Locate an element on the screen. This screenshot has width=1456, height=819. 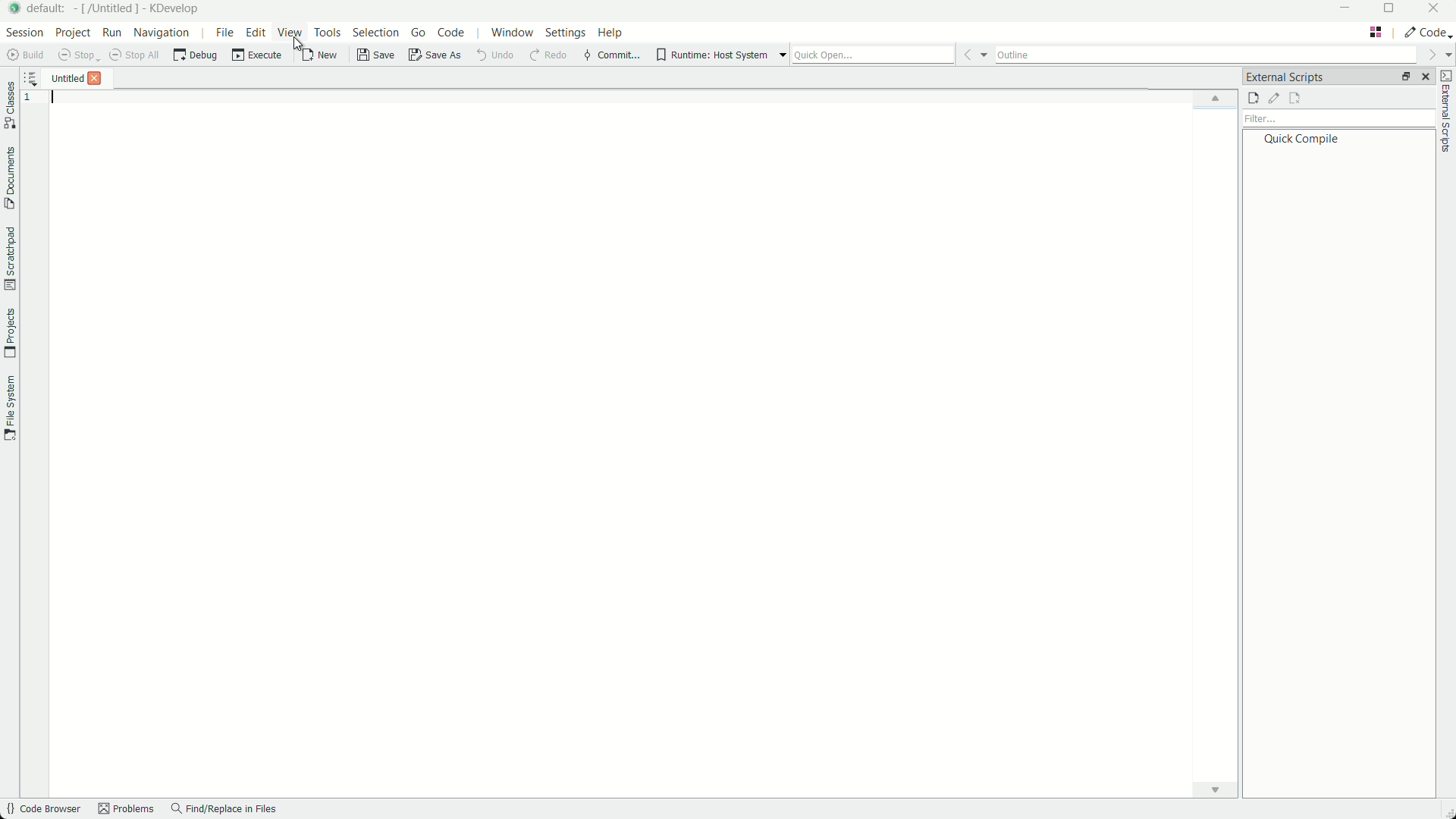
app icon is located at coordinates (15, 9).